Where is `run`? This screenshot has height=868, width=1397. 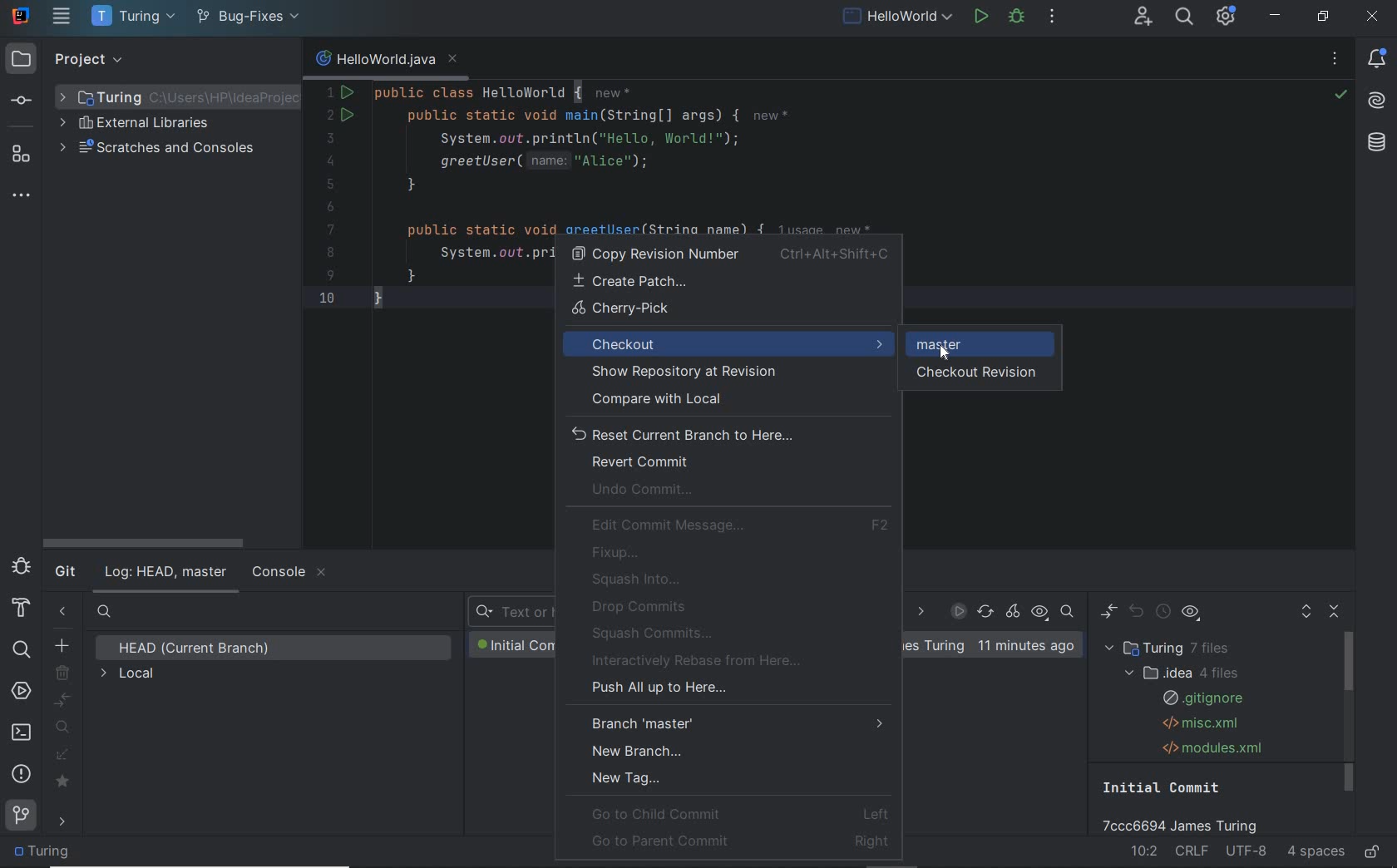 run is located at coordinates (982, 15).